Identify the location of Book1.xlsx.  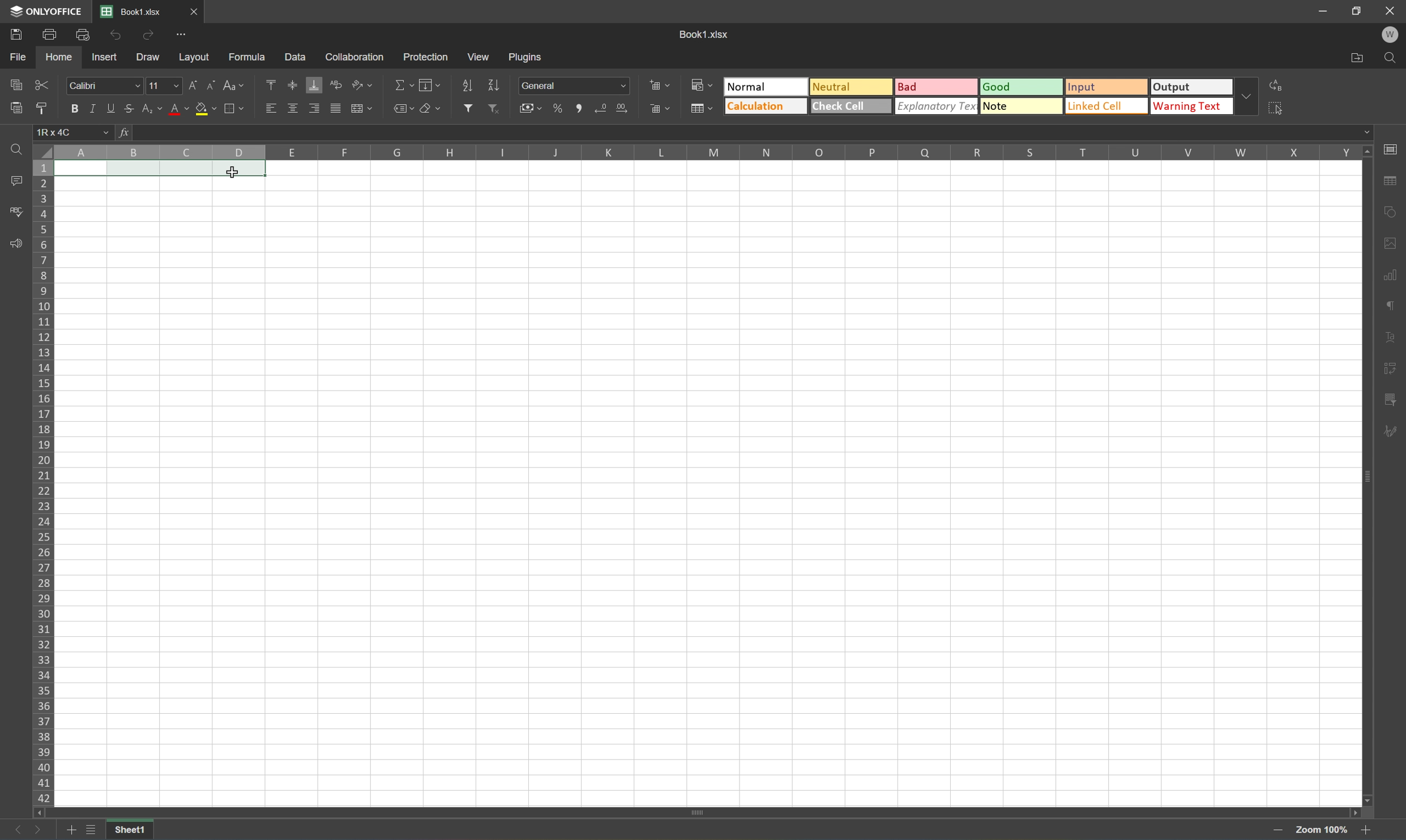
(132, 12).